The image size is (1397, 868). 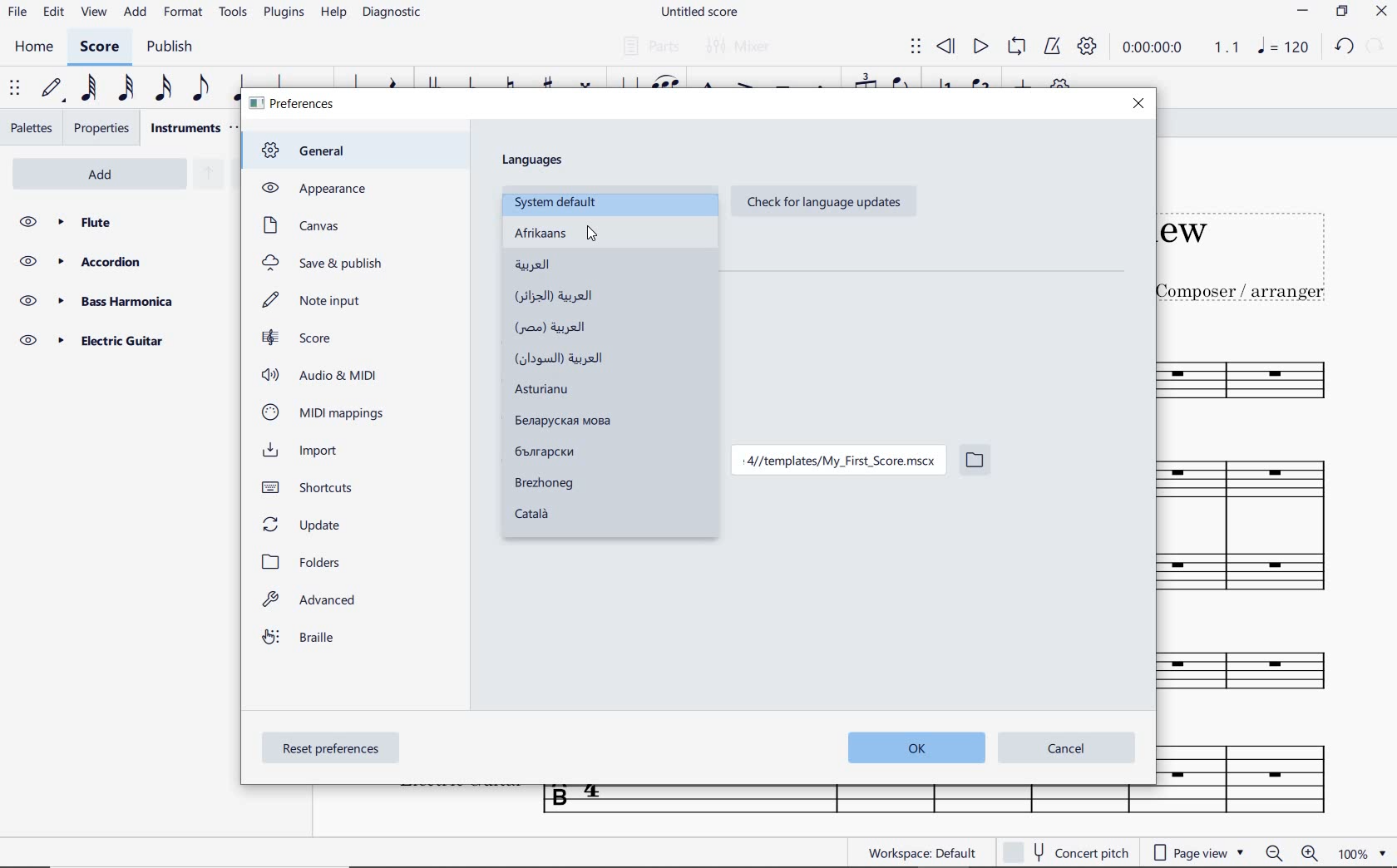 What do you see at coordinates (205, 175) in the screenshot?
I see `MOVE SELECTED STAVES UP` at bounding box center [205, 175].